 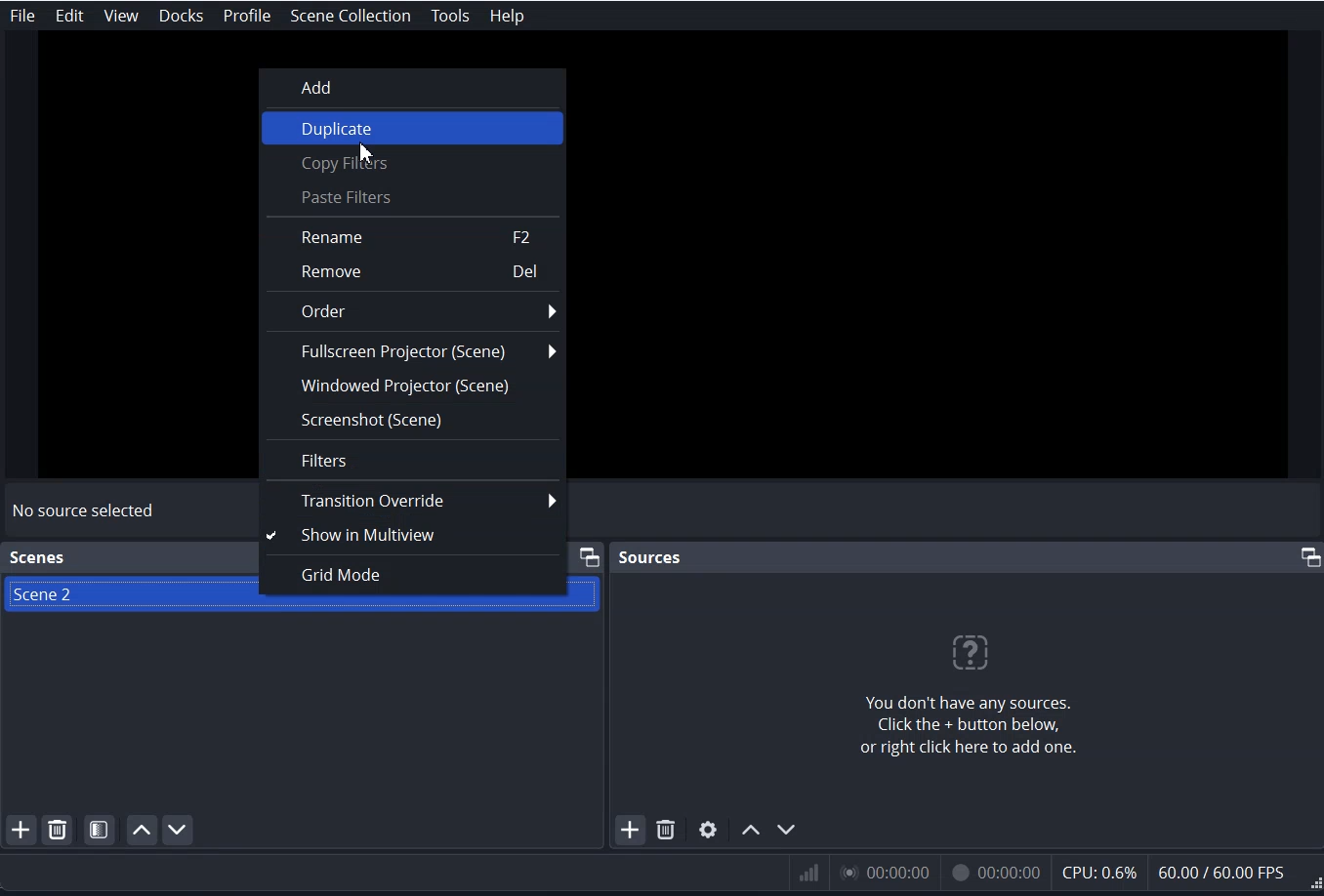 What do you see at coordinates (19, 831) in the screenshot?
I see `Add Scene` at bounding box center [19, 831].